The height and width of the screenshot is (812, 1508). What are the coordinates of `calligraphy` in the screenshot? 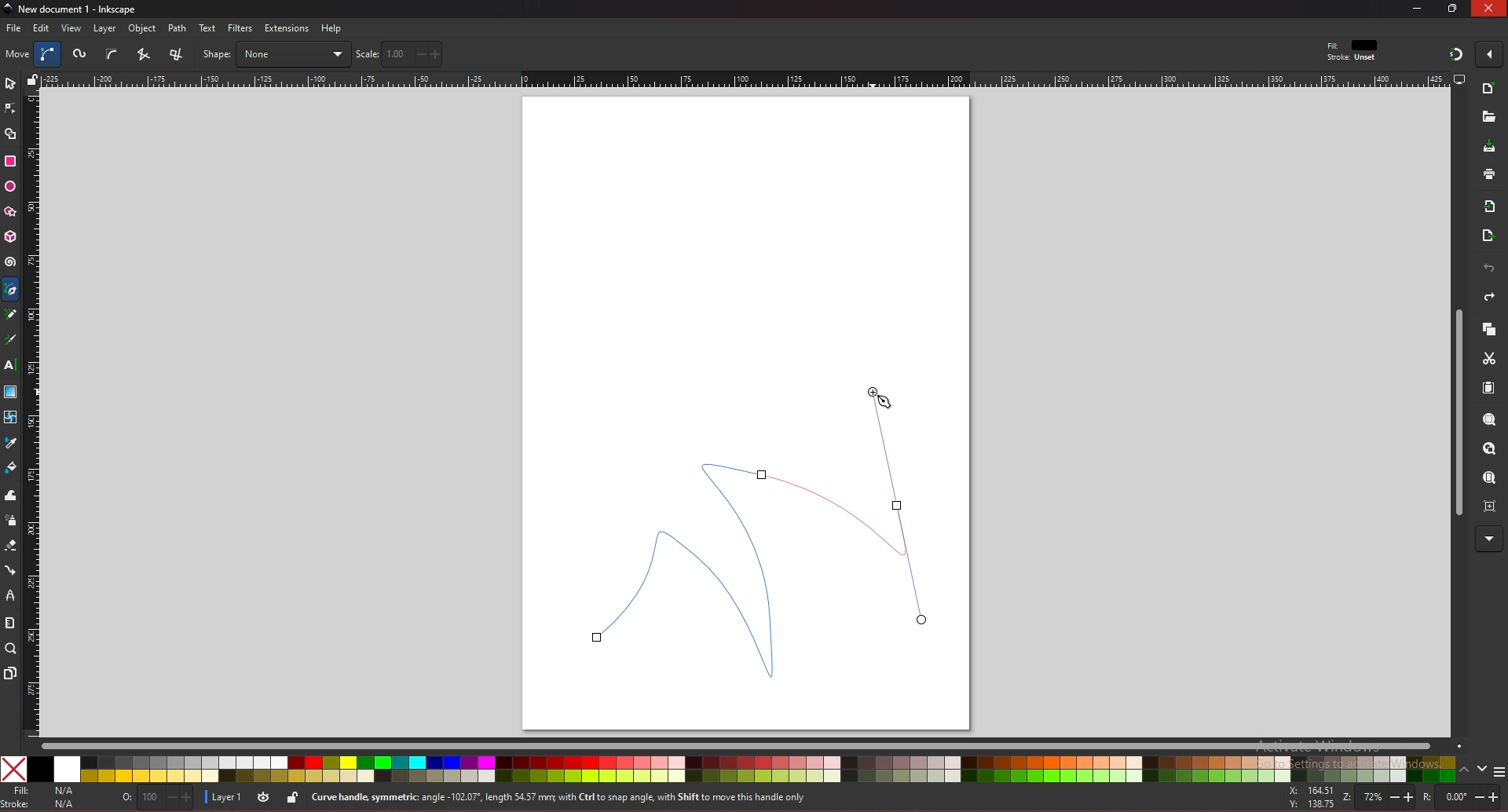 It's located at (13, 341).